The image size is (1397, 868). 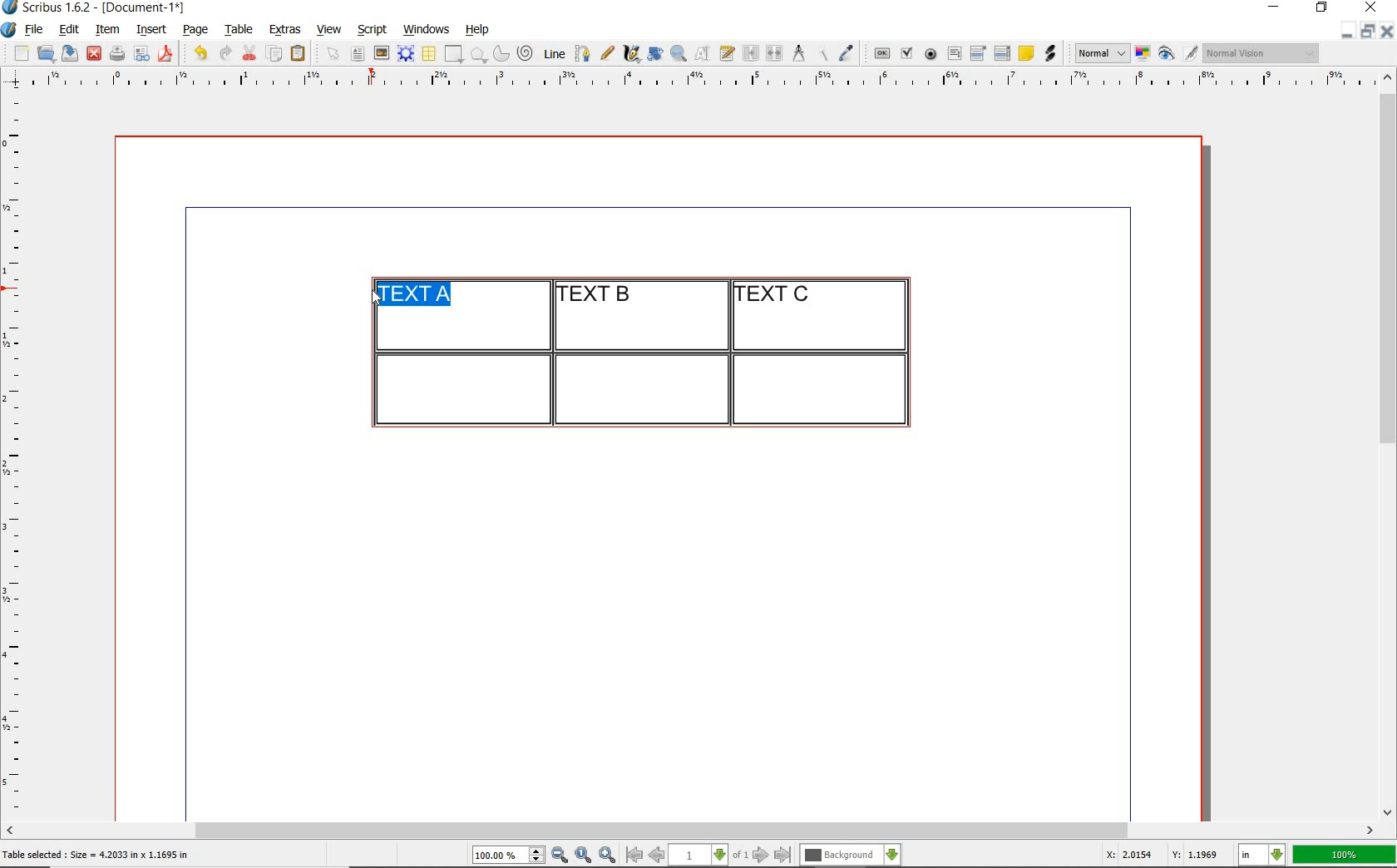 What do you see at coordinates (142, 55) in the screenshot?
I see `preflight verifier` at bounding box center [142, 55].